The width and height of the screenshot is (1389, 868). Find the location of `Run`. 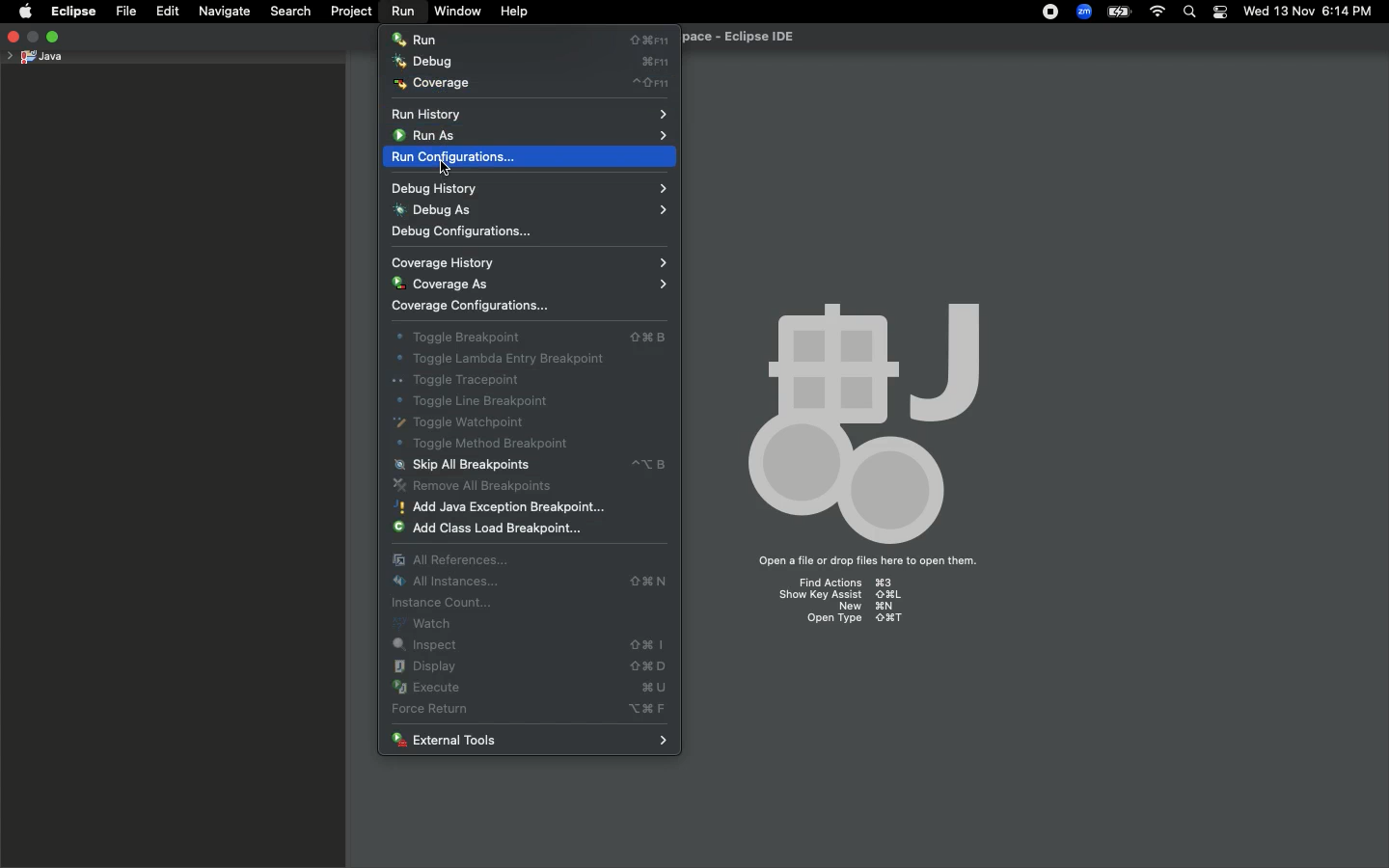

Run is located at coordinates (530, 41).